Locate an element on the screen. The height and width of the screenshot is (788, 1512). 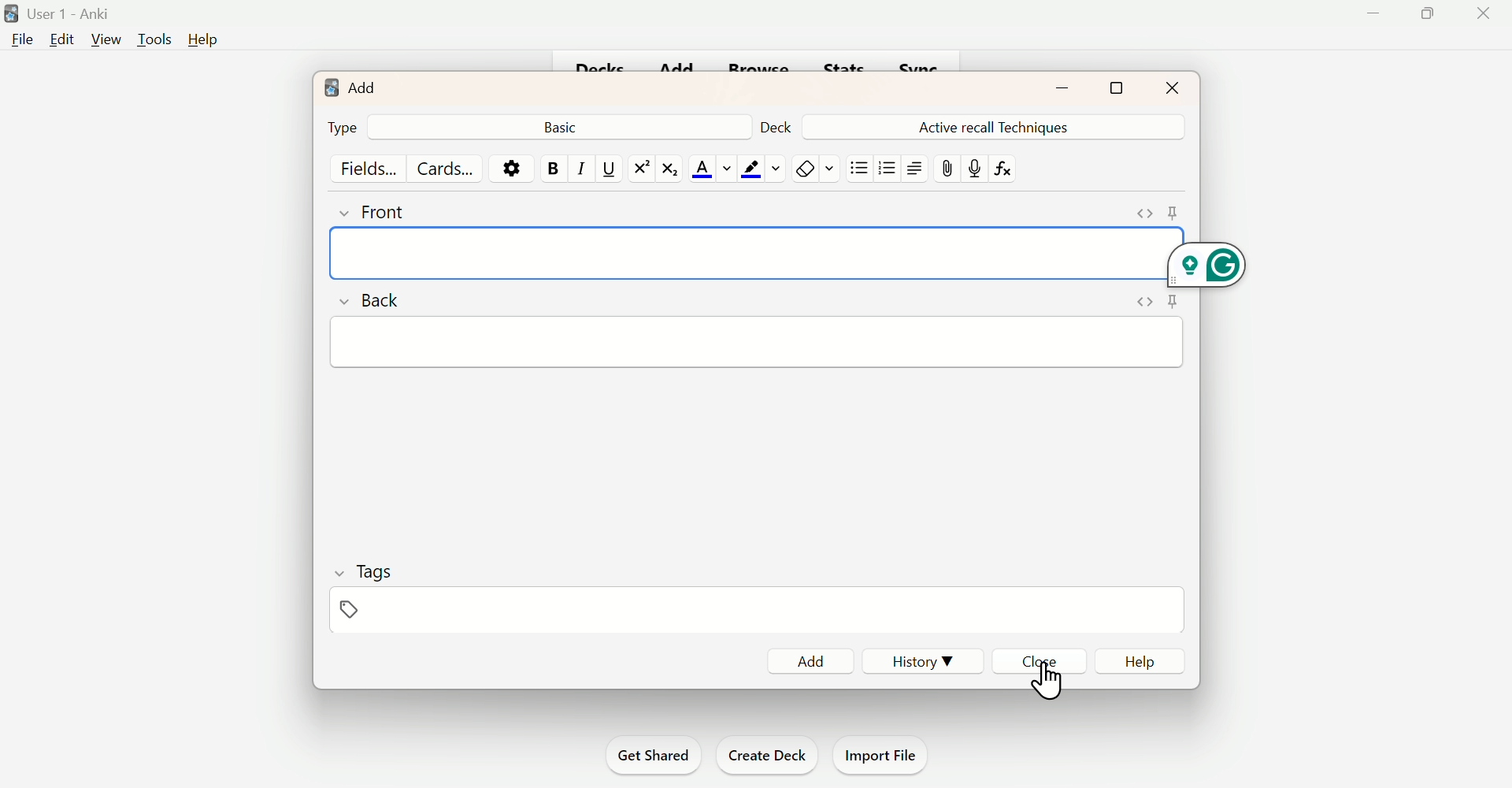
Close is located at coordinates (1482, 13).